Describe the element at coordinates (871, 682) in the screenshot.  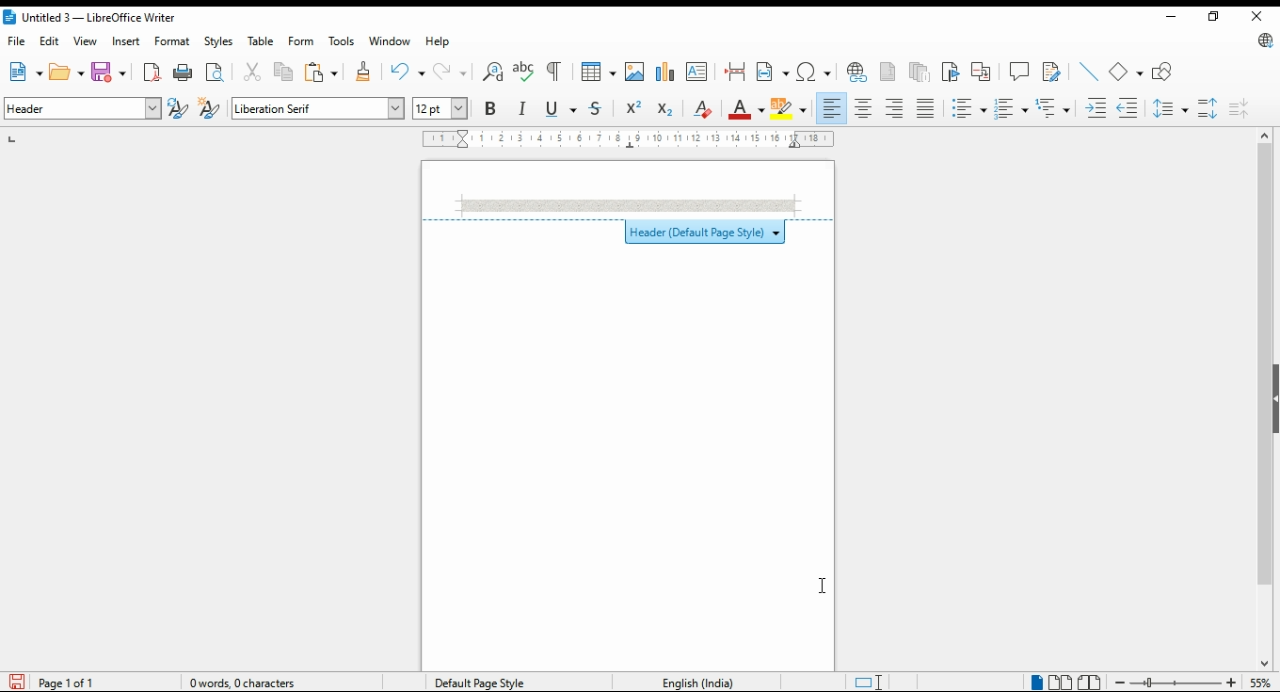
I see `toggle cursor` at that location.